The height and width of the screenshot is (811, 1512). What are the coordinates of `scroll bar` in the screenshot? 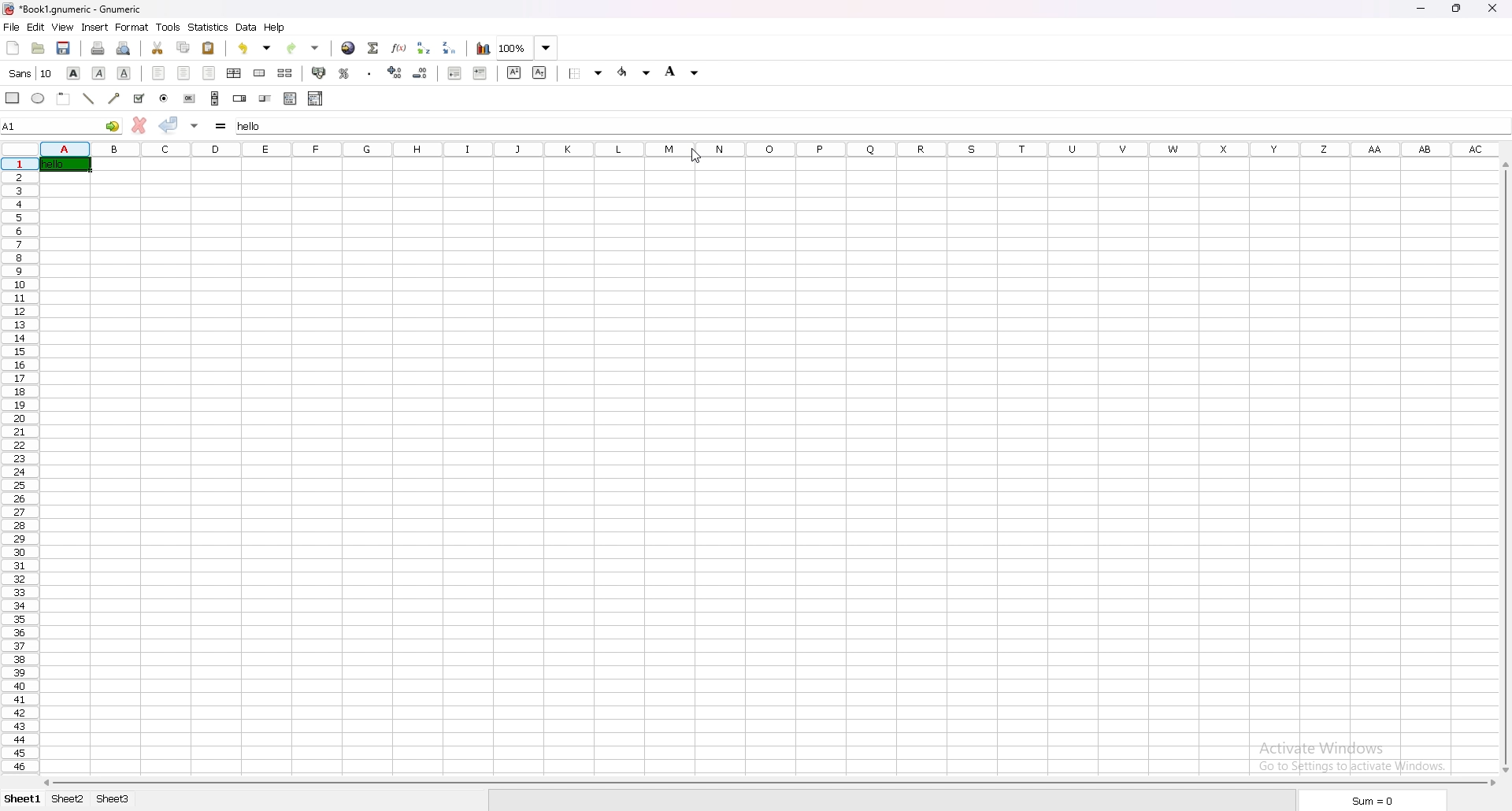 It's located at (769, 783).